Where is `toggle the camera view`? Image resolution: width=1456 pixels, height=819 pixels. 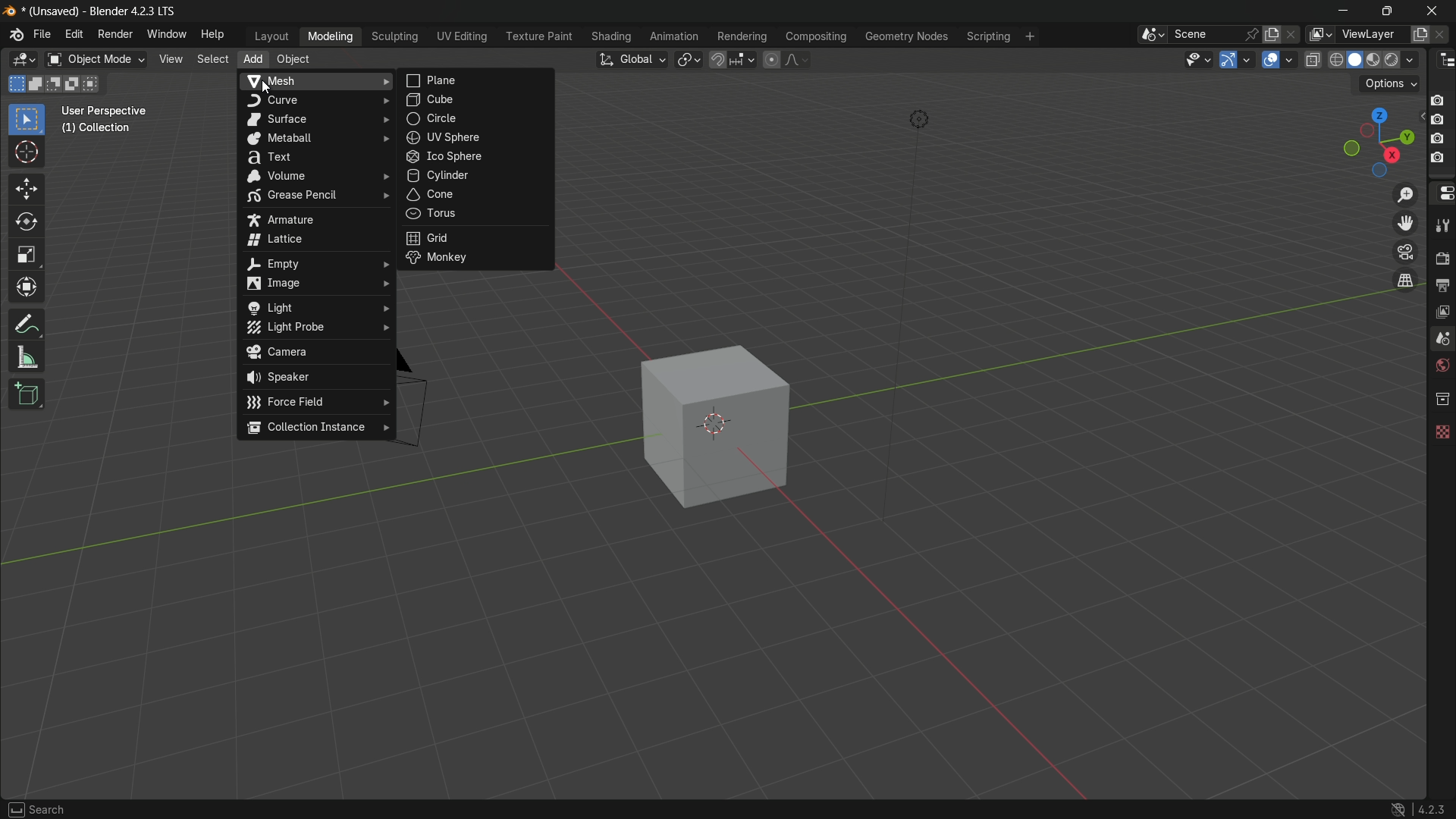 toggle the camera view is located at coordinates (1405, 252).